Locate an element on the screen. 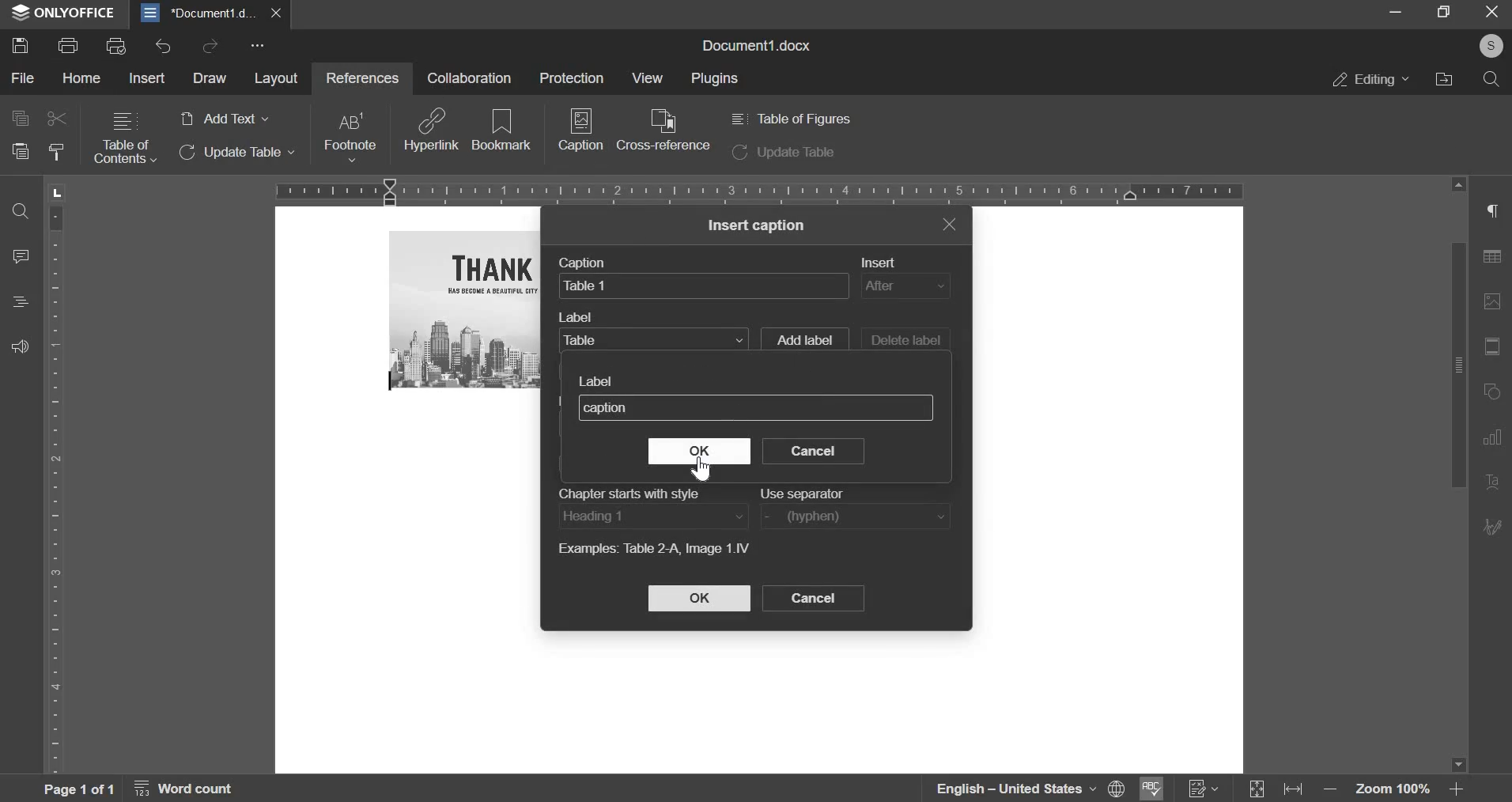 Image resolution: width=1512 pixels, height=802 pixels. Chapter starts with style is located at coordinates (627, 493).